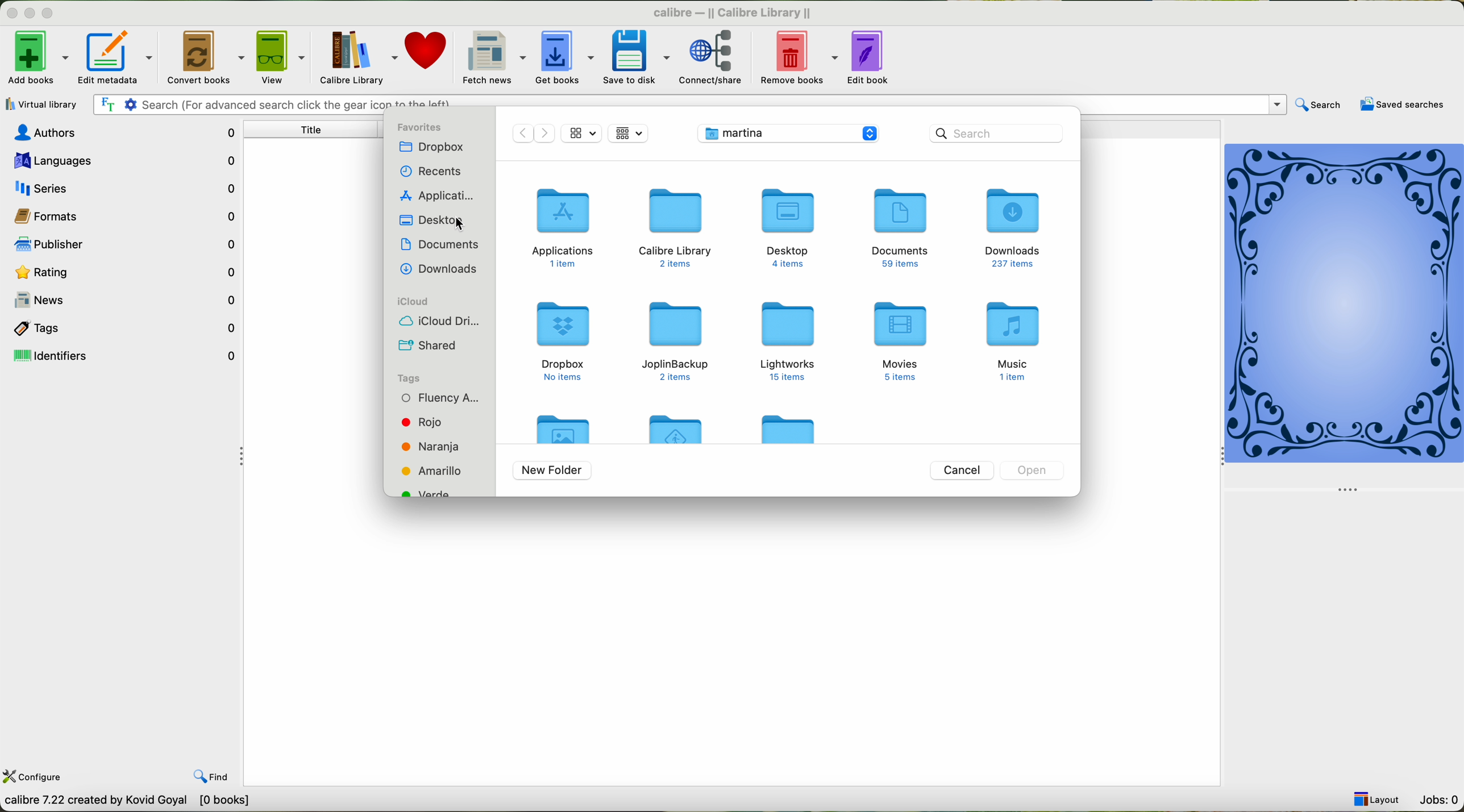 The image size is (1464, 812). Describe the element at coordinates (519, 133) in the screenshot. I see `previous` at that location.